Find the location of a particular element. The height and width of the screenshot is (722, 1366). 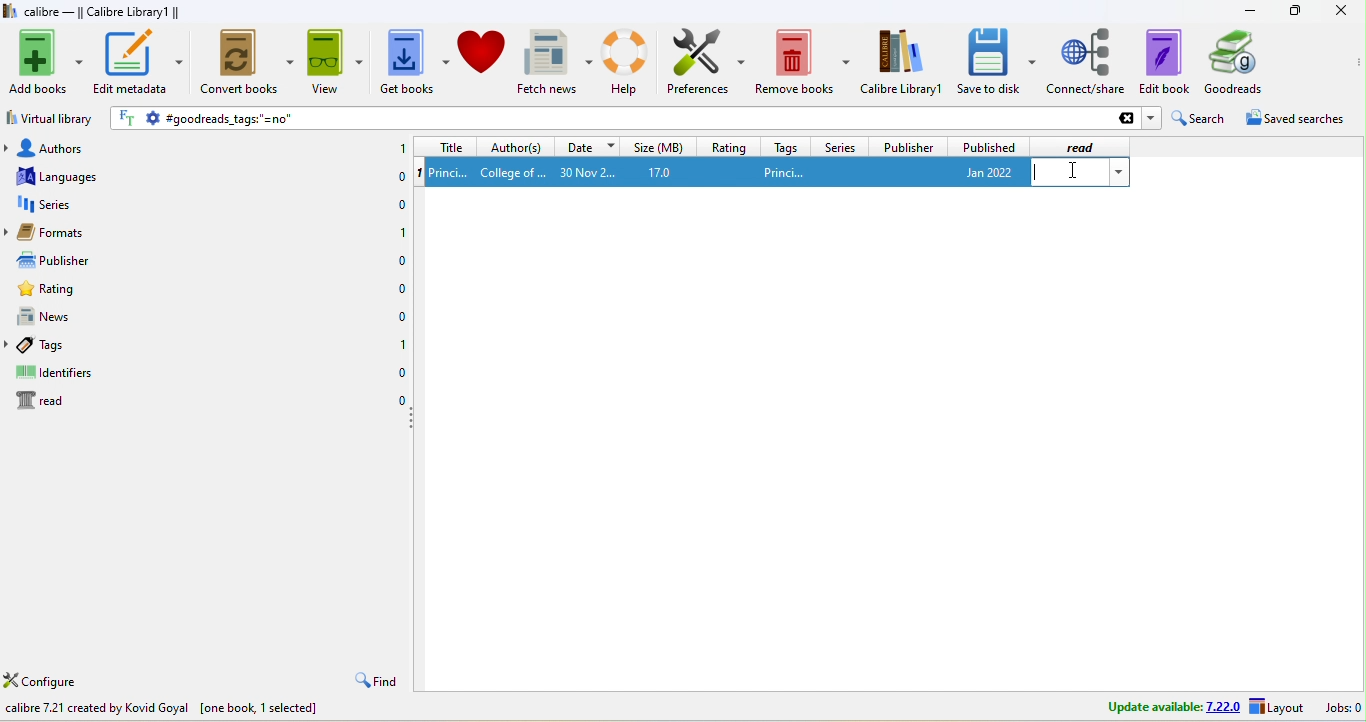

0 is located at coordinates (401, 262).